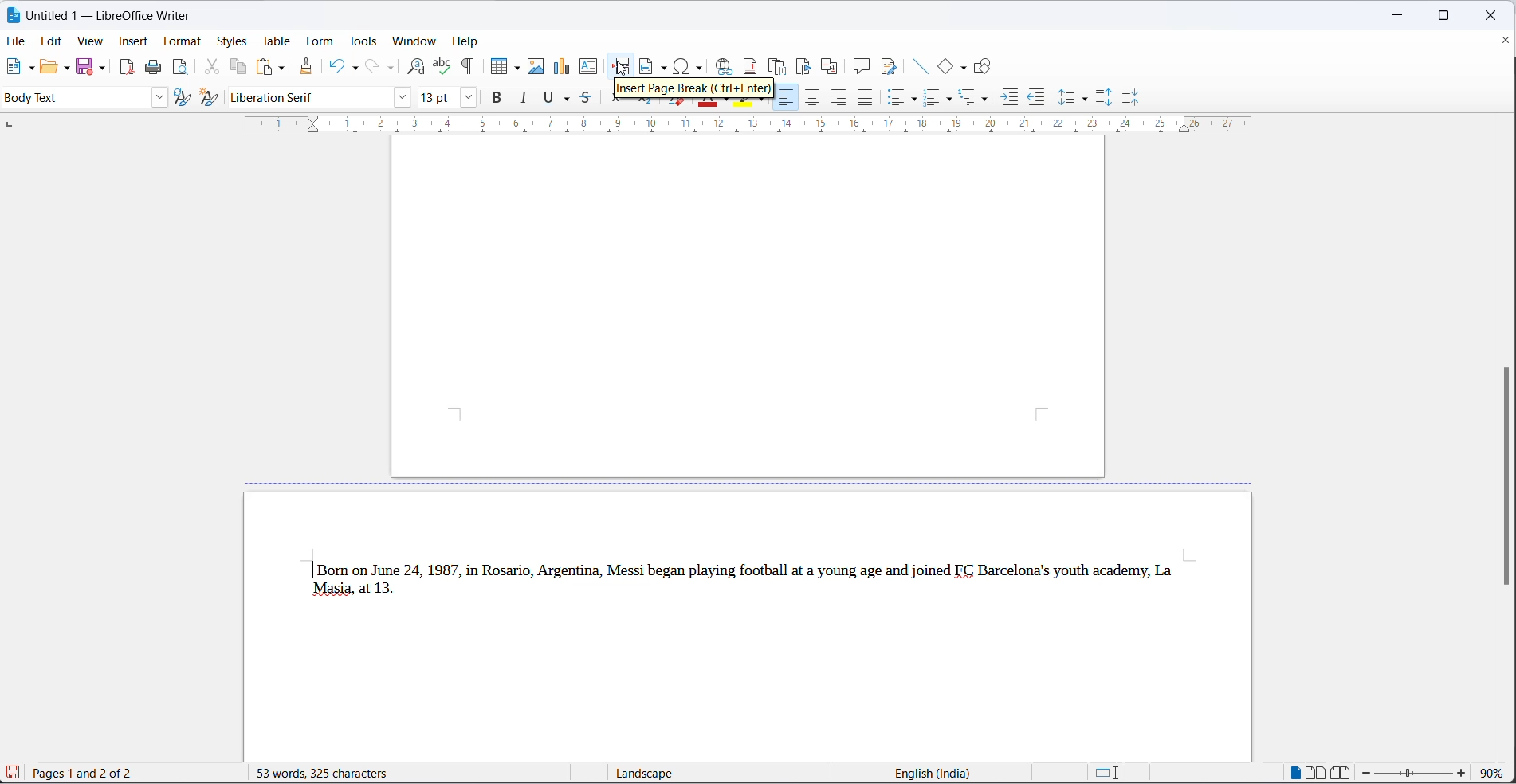  What do you see at coordinates (133, 41) in the screenshot?
I see `insert` at bounding box center [133, 41].